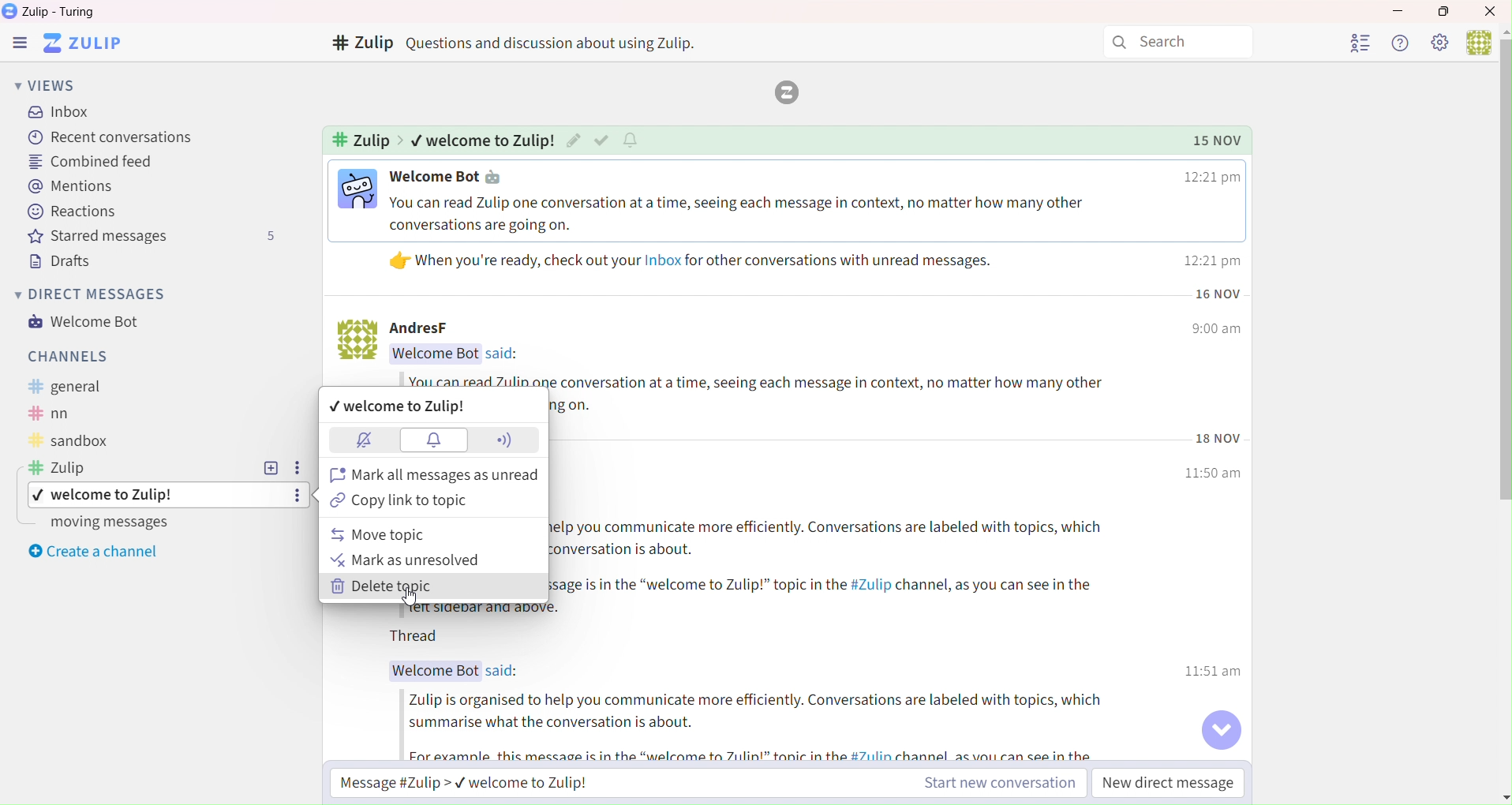  Describe the element at coordinates (87, 294) in the screenshot. I see `Direct Messages` at that location.